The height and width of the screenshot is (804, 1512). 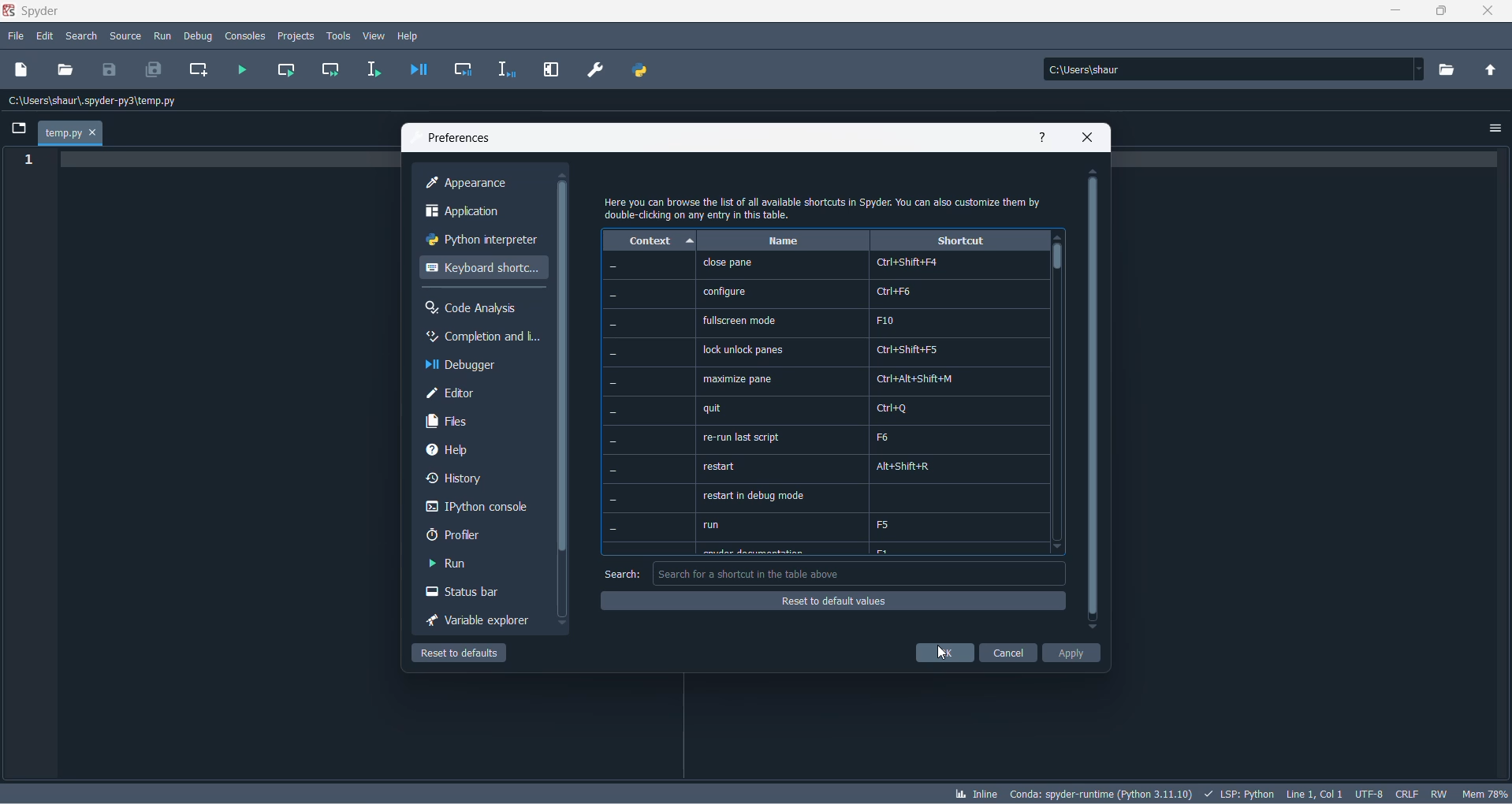 I want to click on reset to default, so click(x=464, y=655).